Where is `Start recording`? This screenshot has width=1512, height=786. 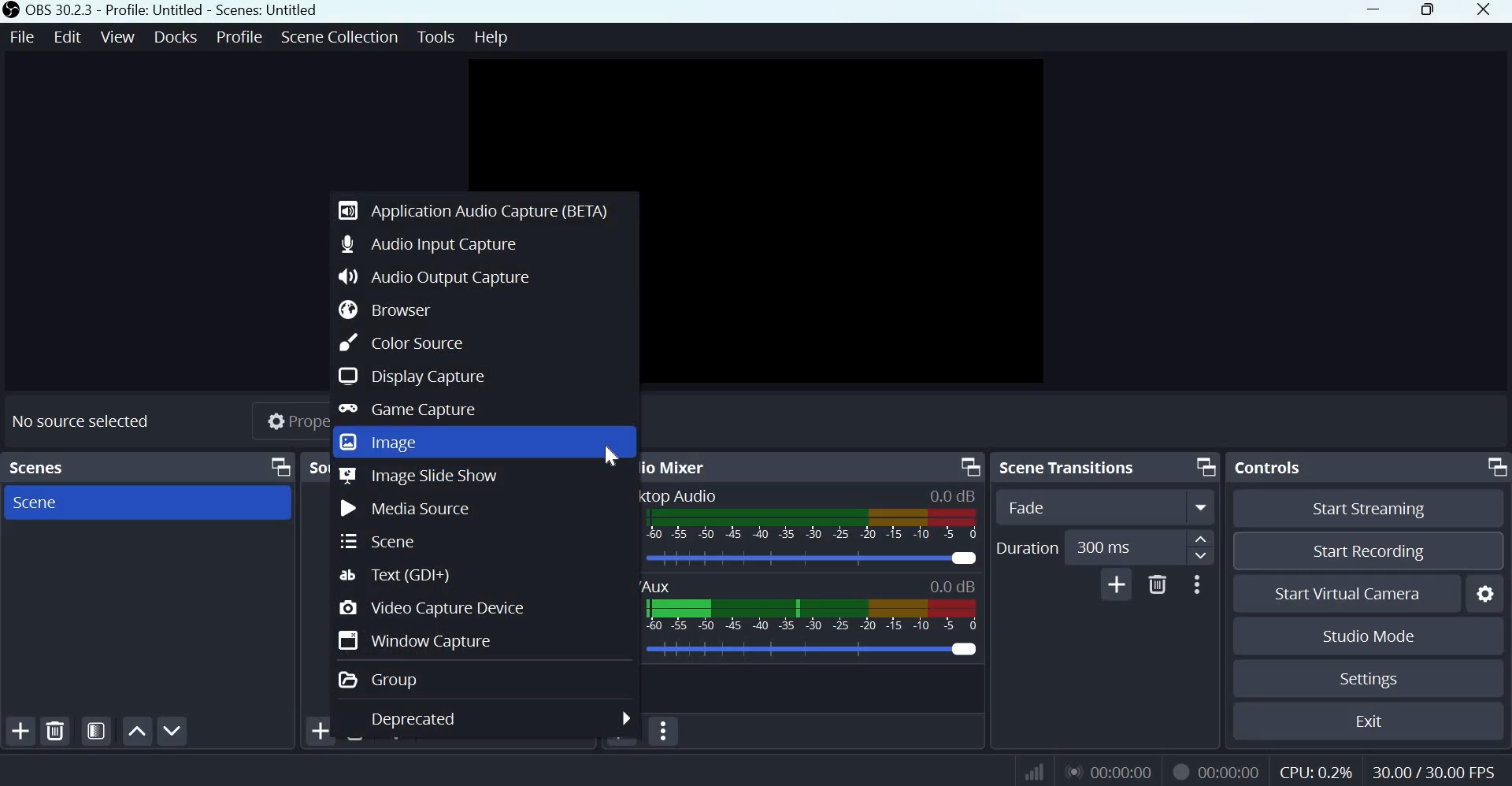
Start recording is located at coordinates (1369, 549).